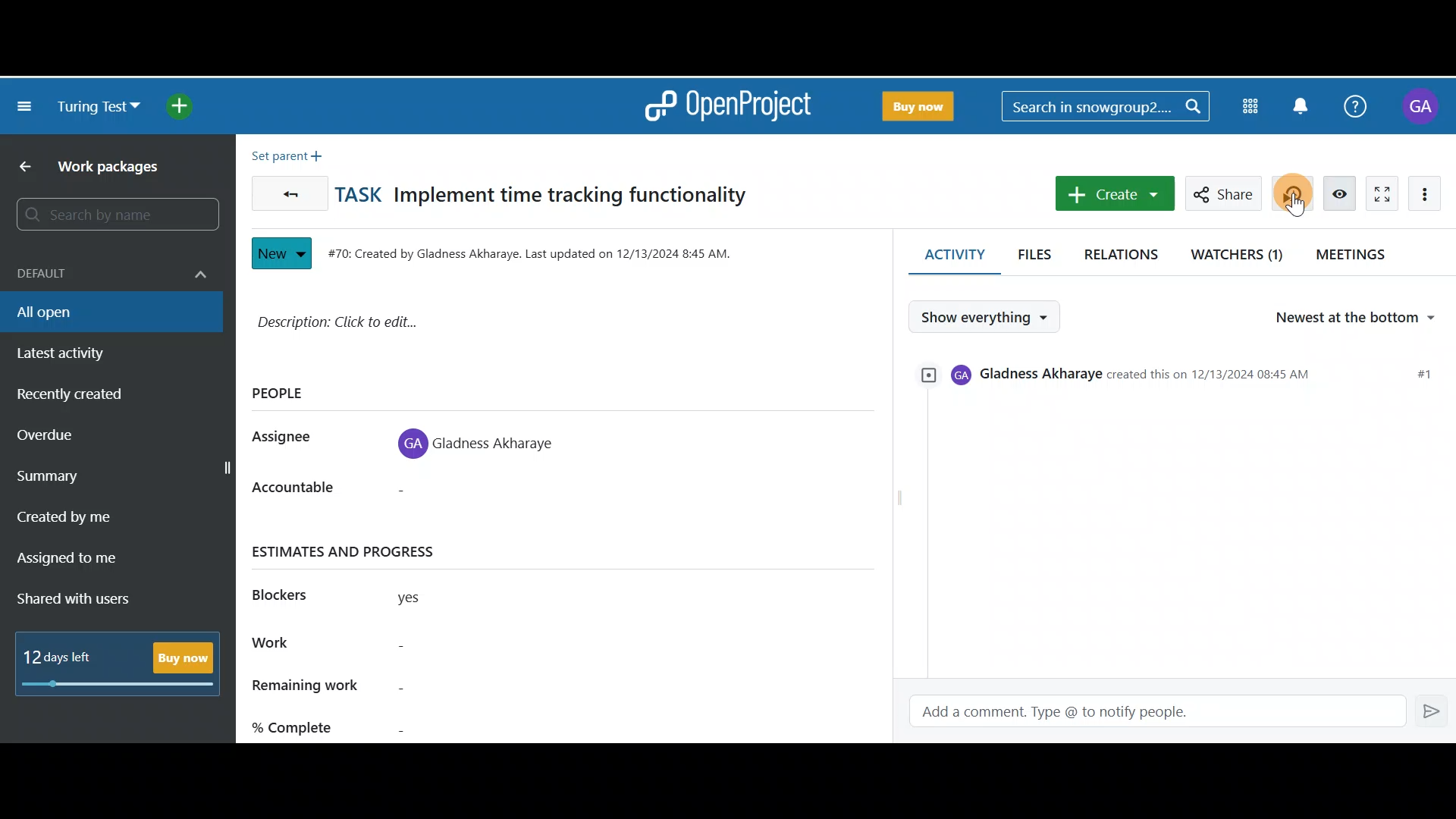 Image resolution: width=1456 pixels, height=819 pixels. Describe the element at coordinates (575, 197) in the screenshot. I see `Implement time tracking functionality` at that location.